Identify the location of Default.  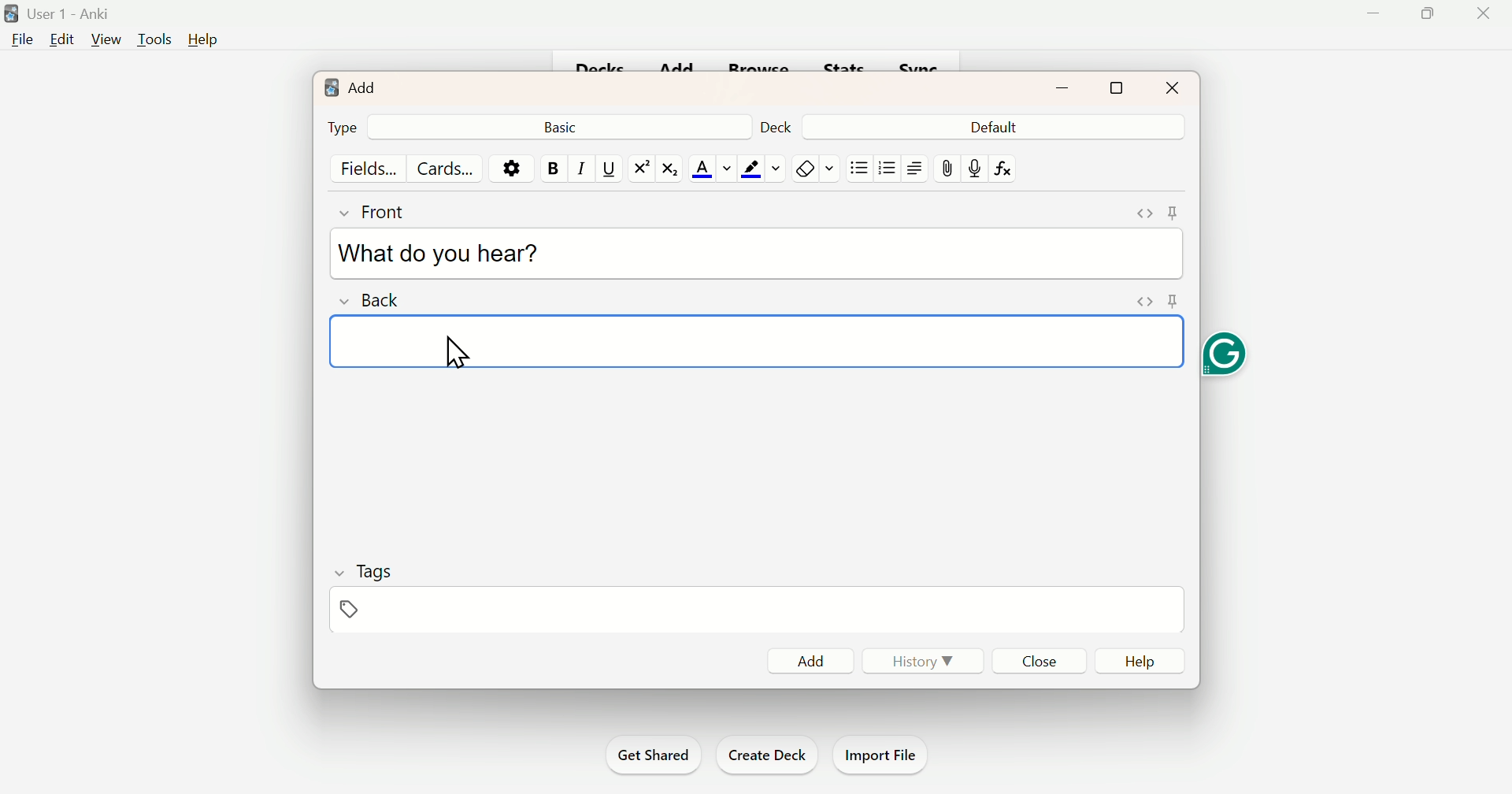
(991, 128).